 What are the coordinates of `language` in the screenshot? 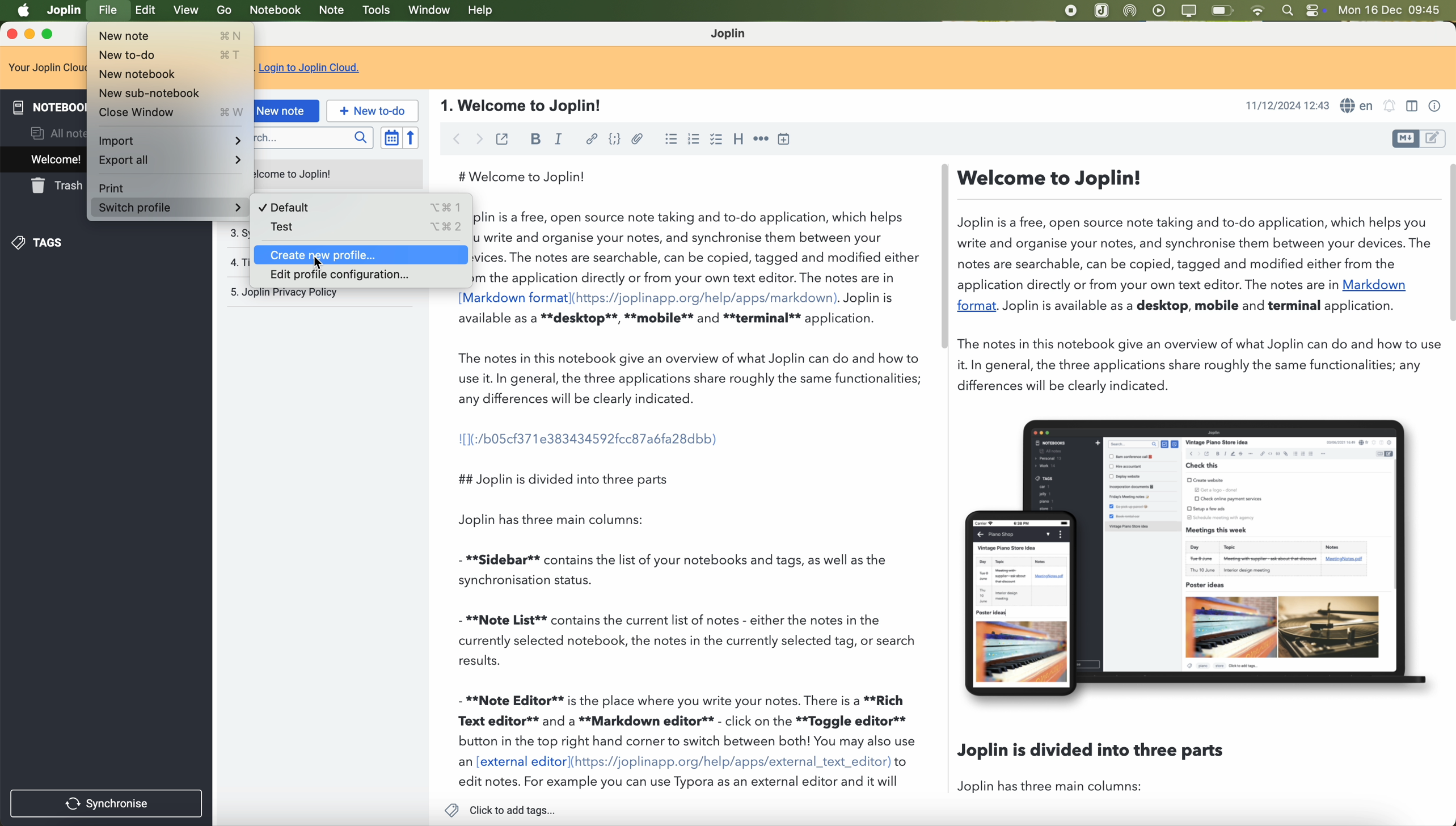 It's located at (1358, 106).